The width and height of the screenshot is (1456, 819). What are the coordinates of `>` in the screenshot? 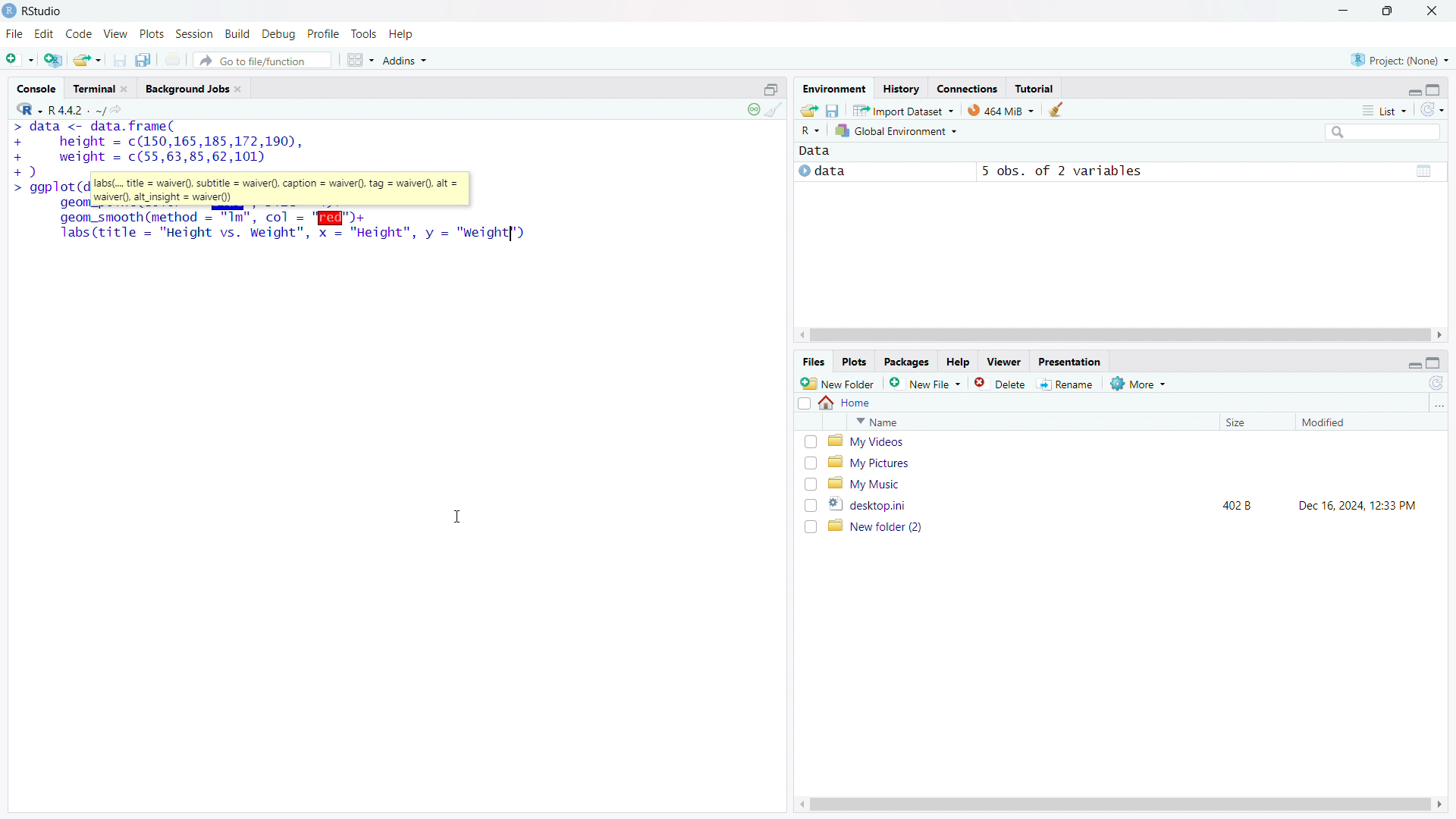 It's located at (22, 190).